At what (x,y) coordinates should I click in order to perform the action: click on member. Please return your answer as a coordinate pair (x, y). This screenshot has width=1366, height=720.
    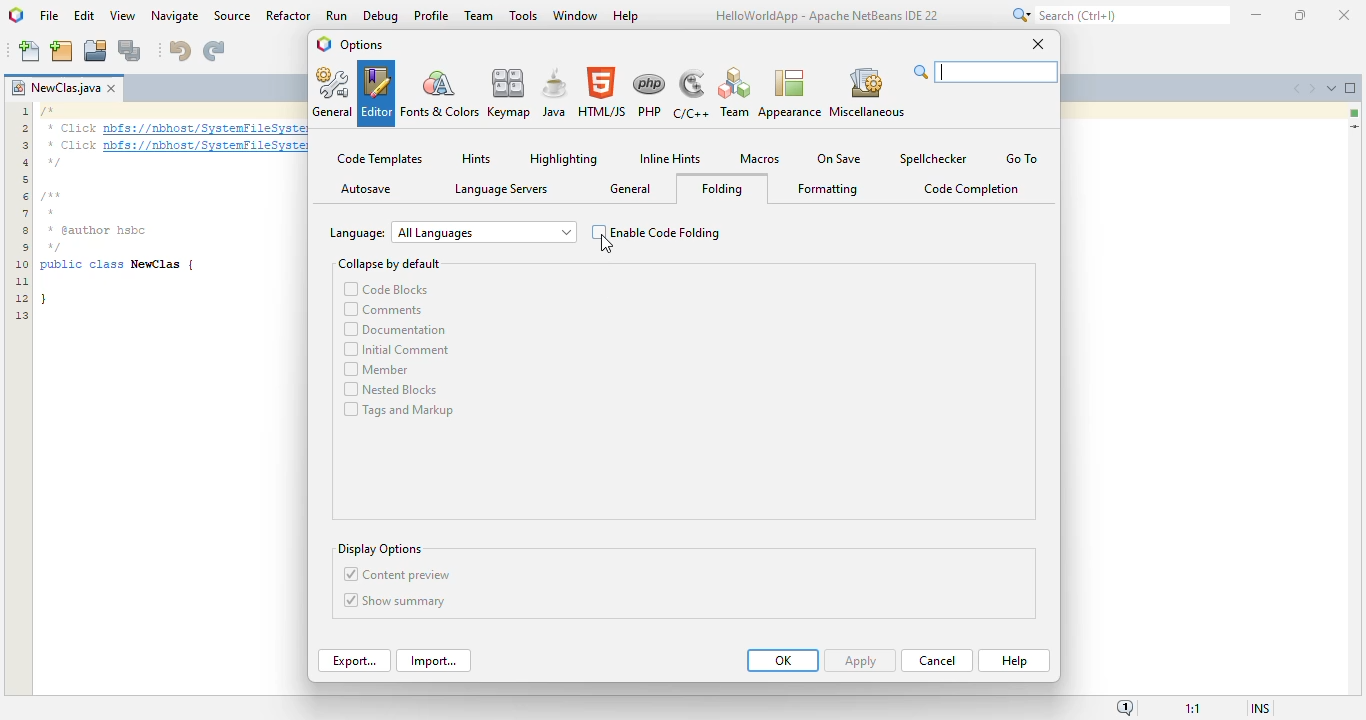
    Looking at the image, I should click on (376, 370).